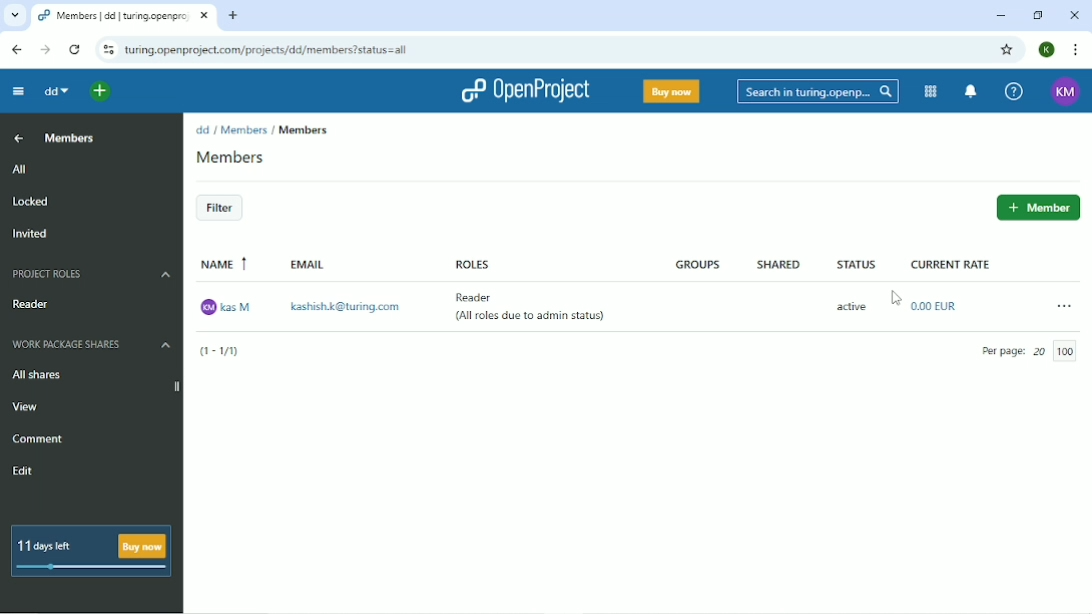 Image resolution: width=1092 pixels, height=614 pixels. What do you see at coordinates (31, 235) in the screenshot?
I see `Invited` at bounding box center [31, 235].